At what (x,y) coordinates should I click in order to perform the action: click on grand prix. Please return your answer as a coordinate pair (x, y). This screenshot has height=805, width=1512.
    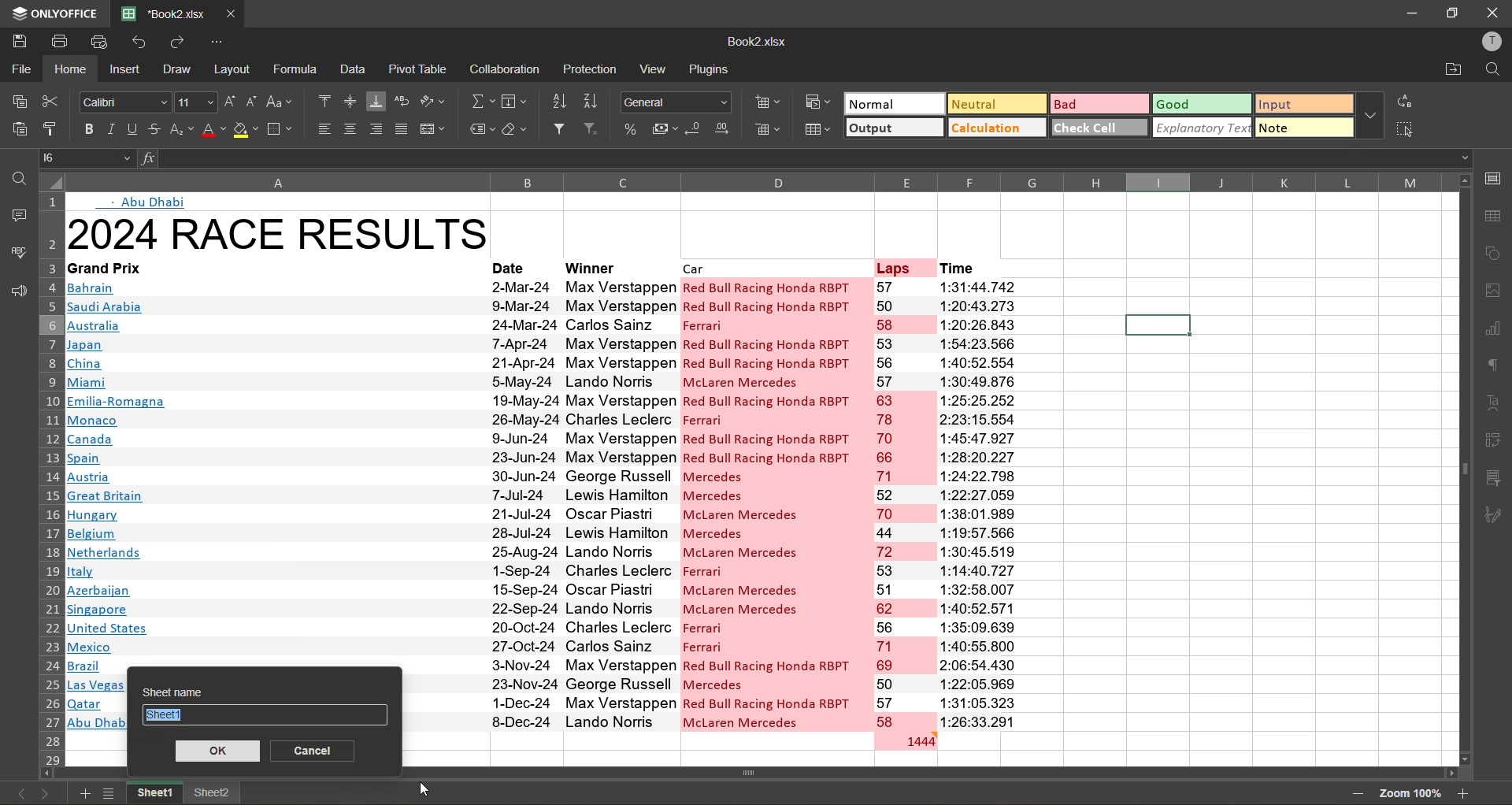
    Looking at the image, I should click on (127, 267).